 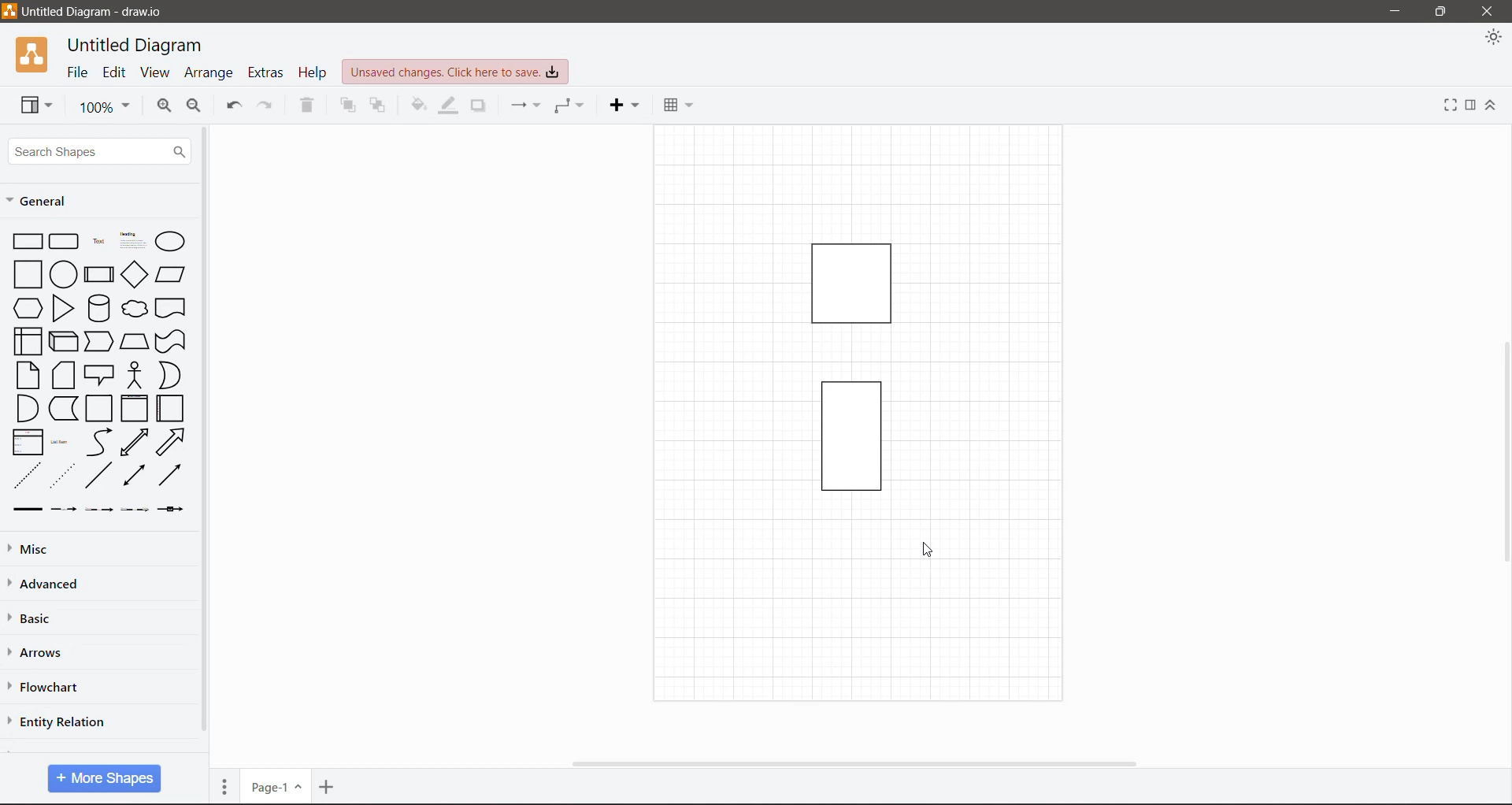 What do you see at coordinates (265, 72) in the screenshot?
I see `Extras` at bounding box center [265, 72].